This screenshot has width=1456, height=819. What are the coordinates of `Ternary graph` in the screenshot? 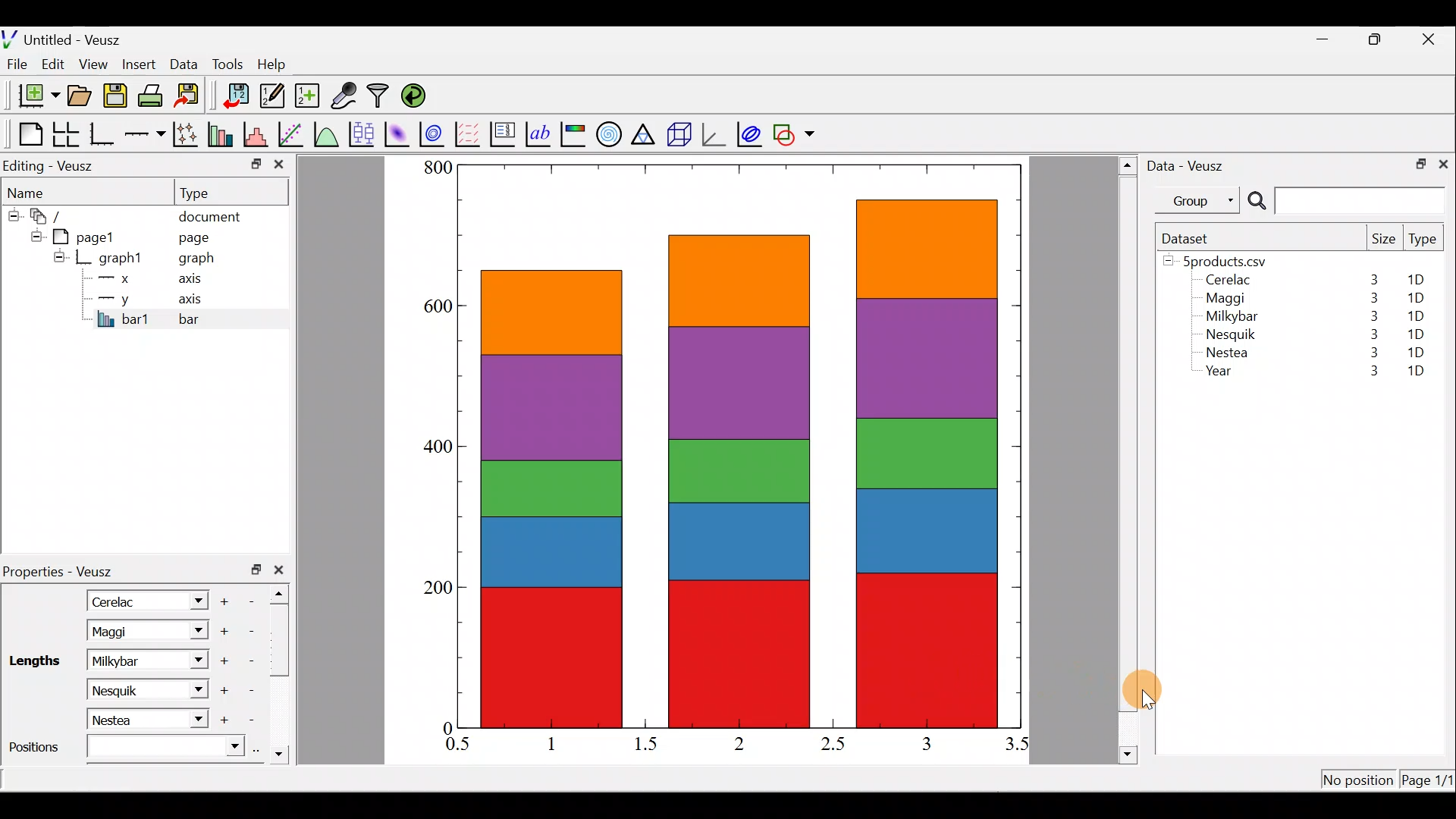 It's located at (645, 132).